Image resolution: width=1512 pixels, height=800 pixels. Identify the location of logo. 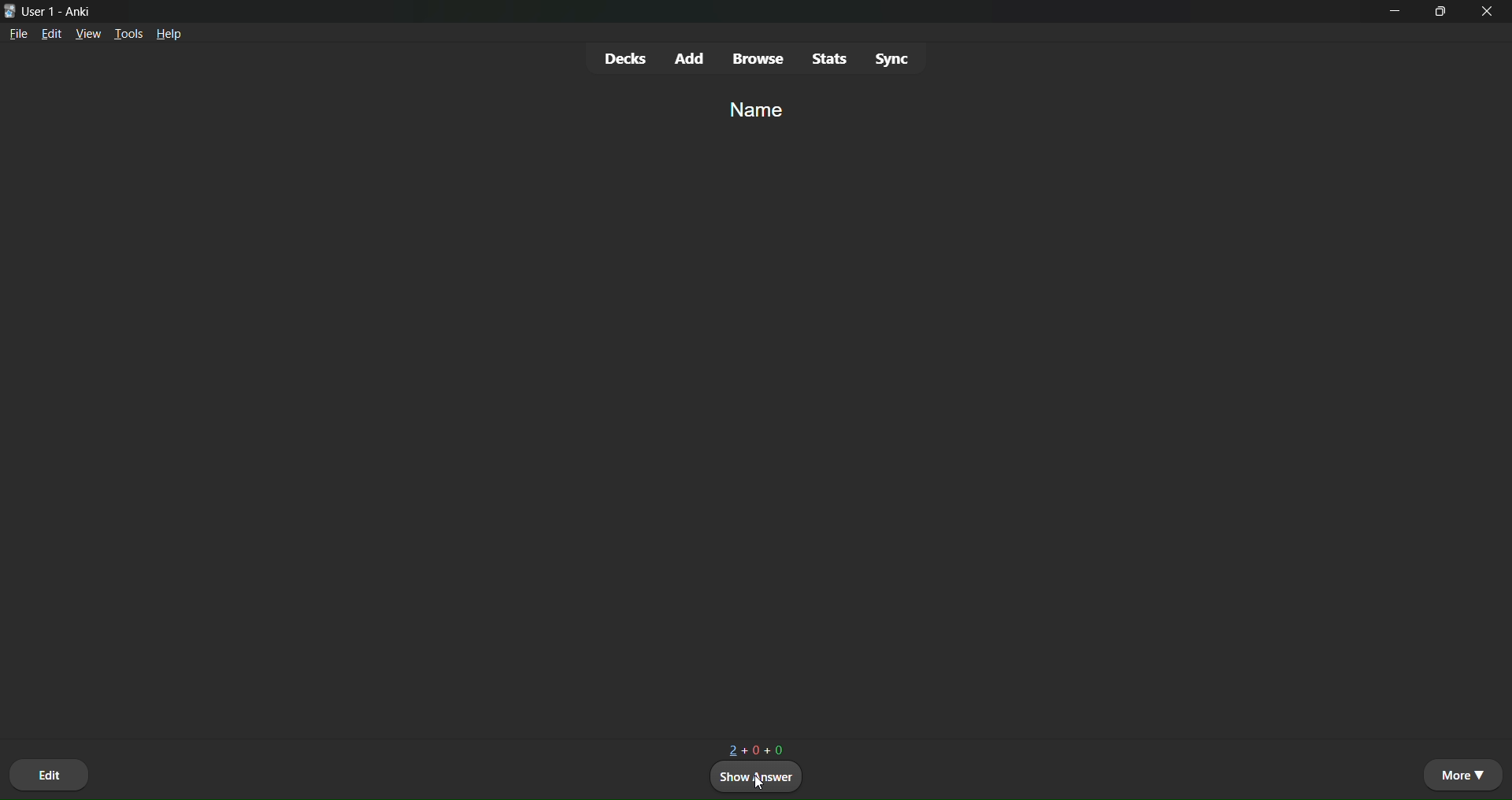
(9, 9).